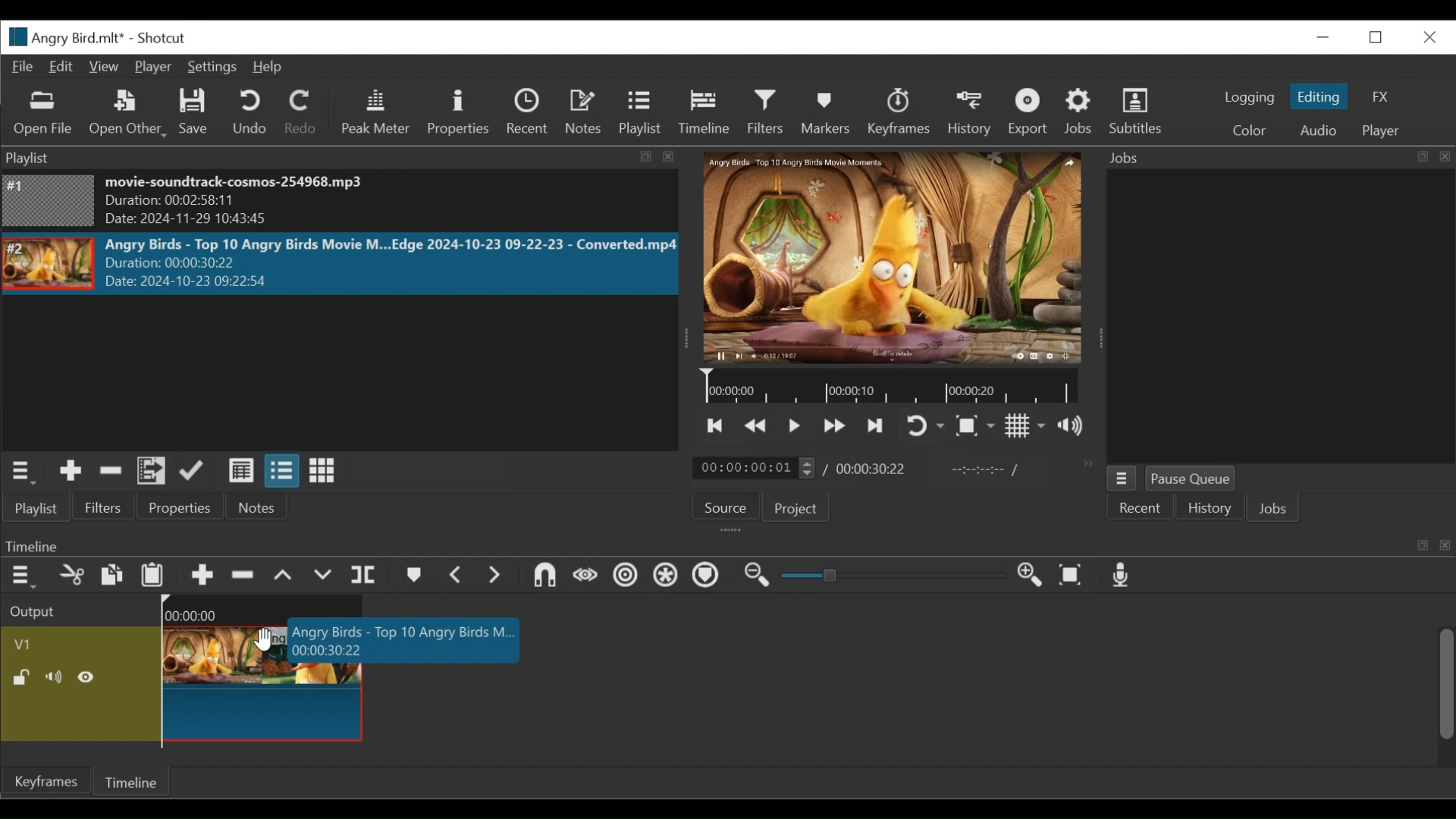 This screenshot has width=1456, height=819. Describe the element at coordinates (748, 467) in the screenshot. I see `/ 00:00:00:01(Current duration)` at that location.